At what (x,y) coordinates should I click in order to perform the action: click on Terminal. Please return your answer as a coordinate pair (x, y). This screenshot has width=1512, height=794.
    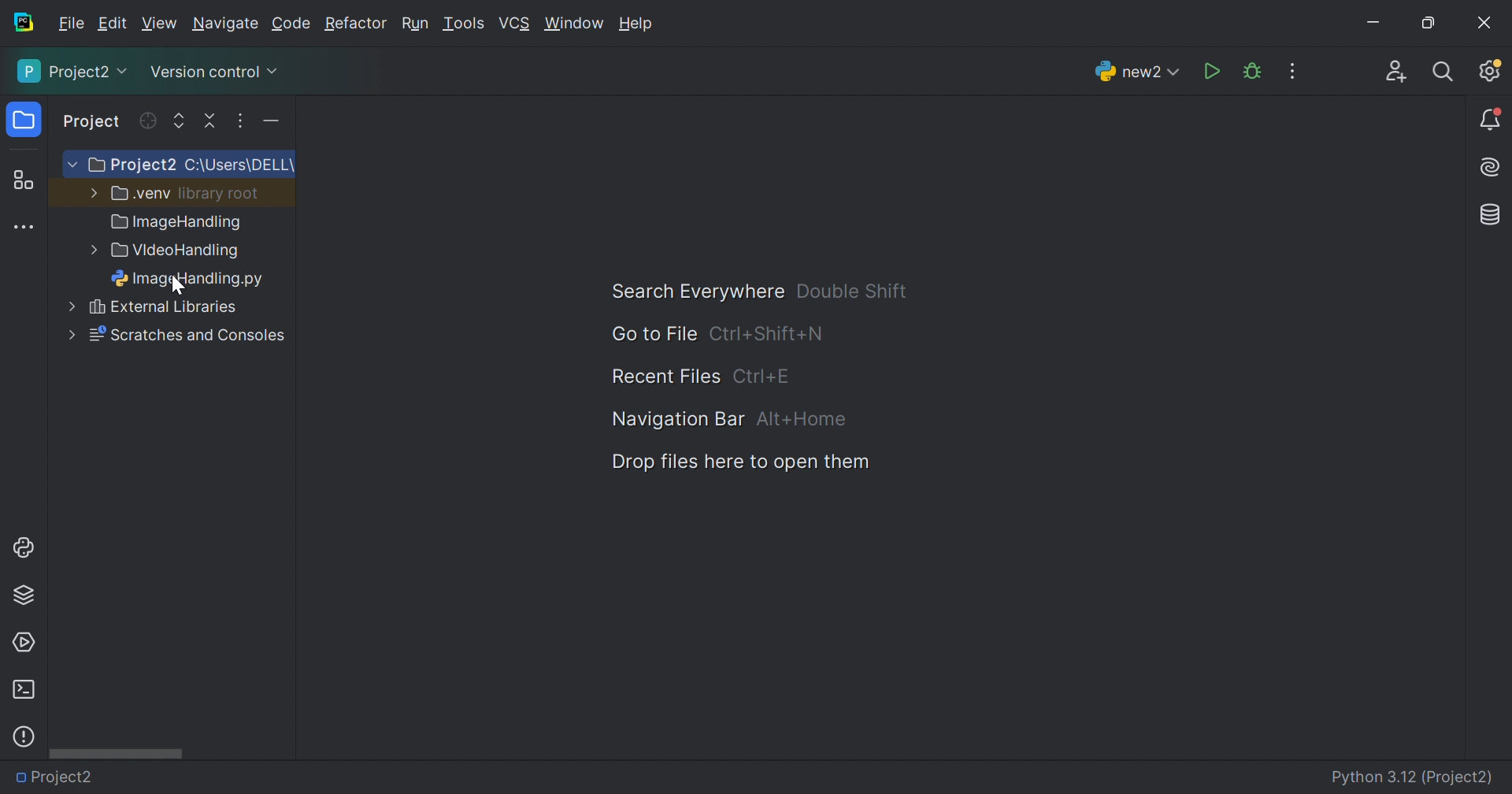
    Looking at the image, I should click on (23, 690).